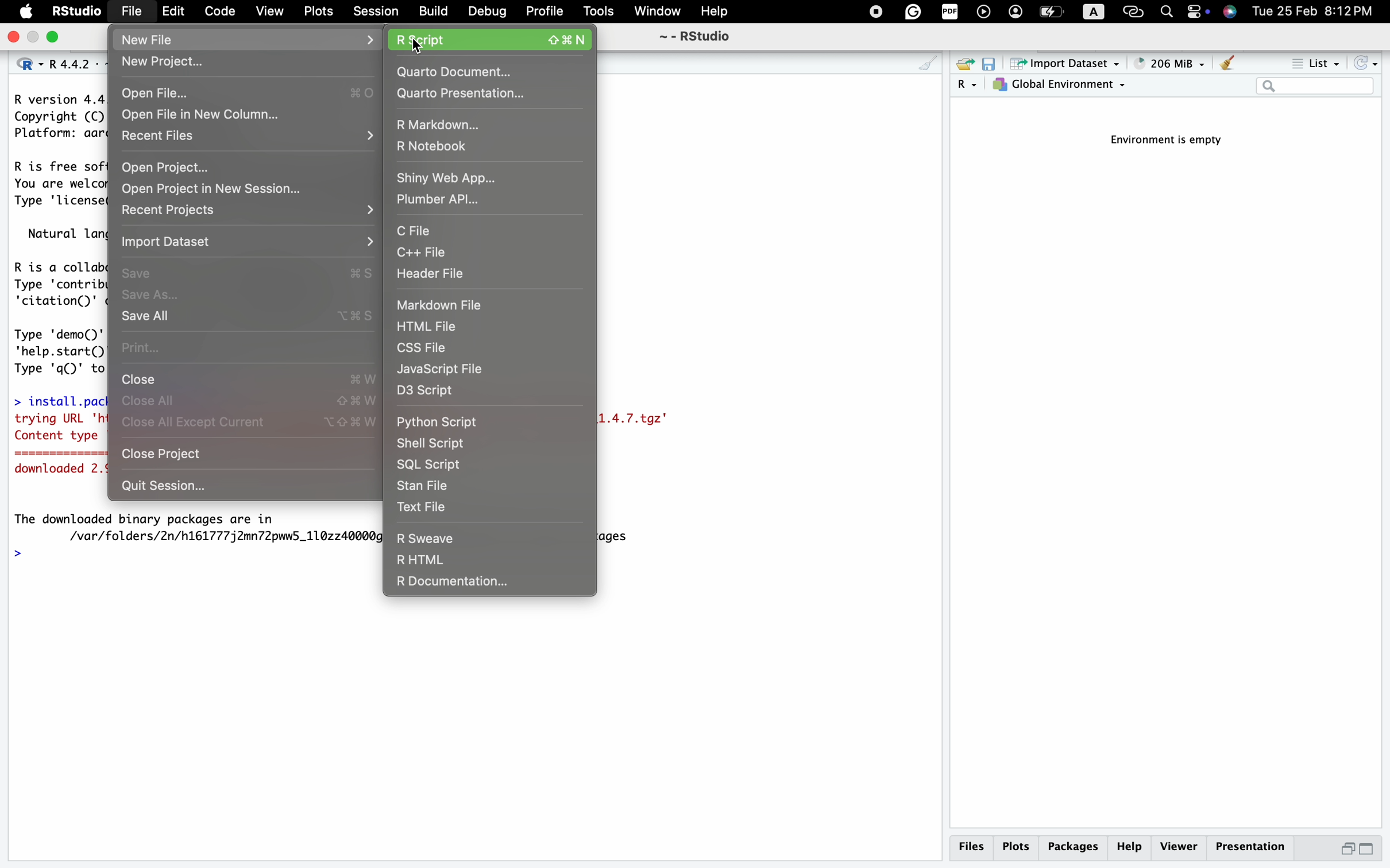 This screenshot has width=1390, height=868. What do you see at coordinates (56, 184) in the screenshot?
I see `description of R and license` at bounding box center [56, 184].